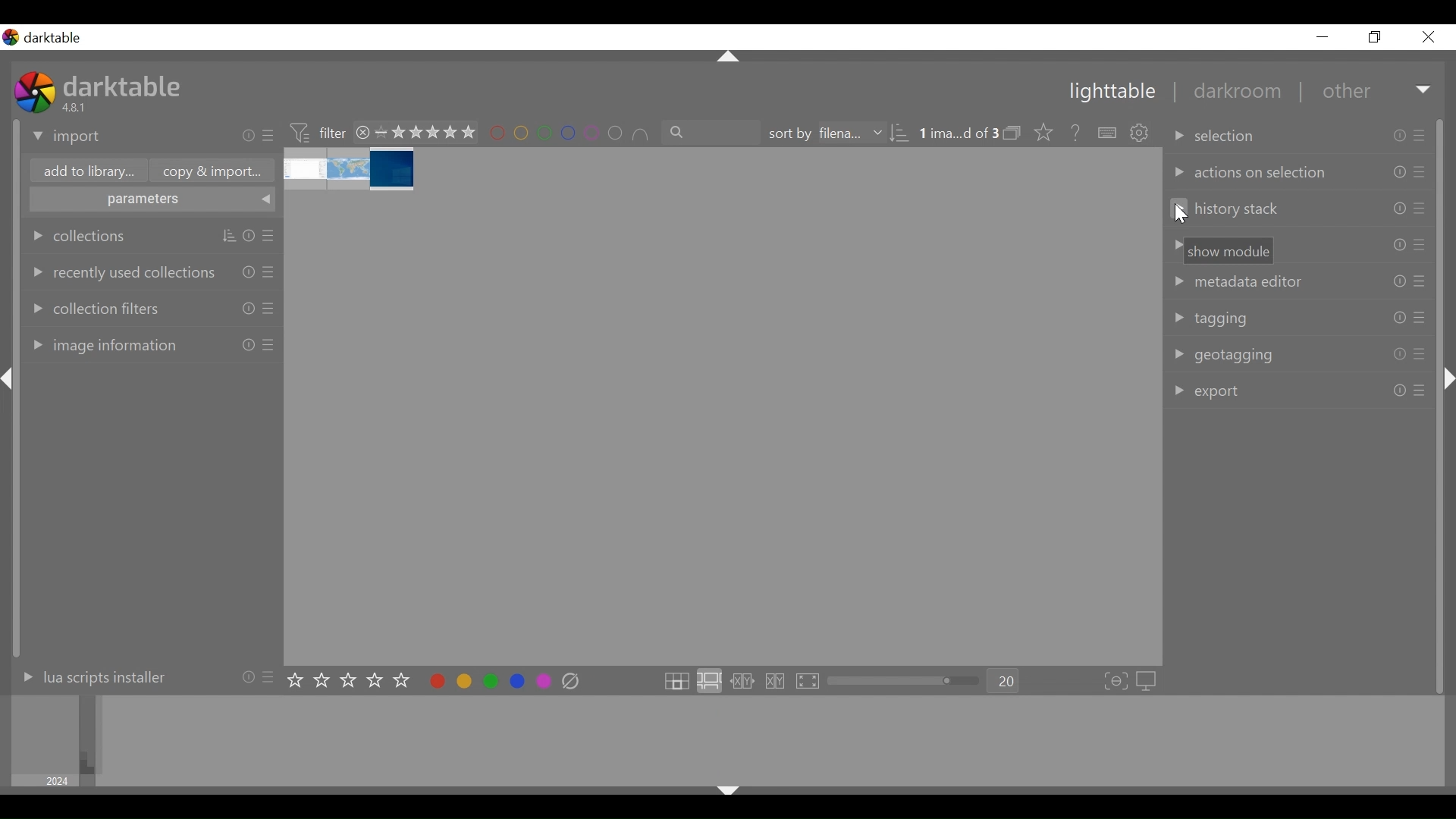 This screenshot has width=1456, height=819. I want to click on show global preferences, so click(1141, 134).